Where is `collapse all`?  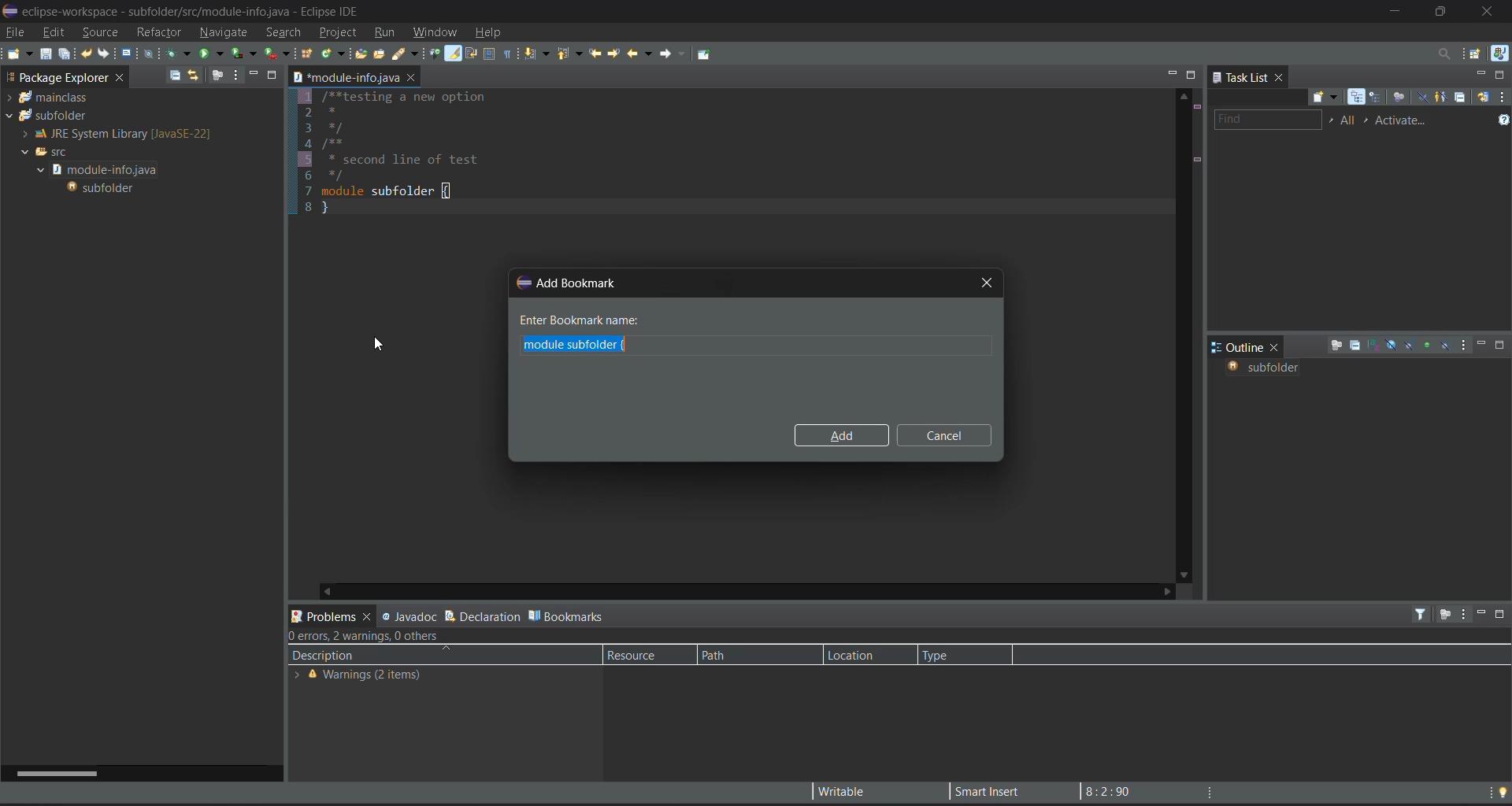 collapse all is located at coordinates (175, 75).